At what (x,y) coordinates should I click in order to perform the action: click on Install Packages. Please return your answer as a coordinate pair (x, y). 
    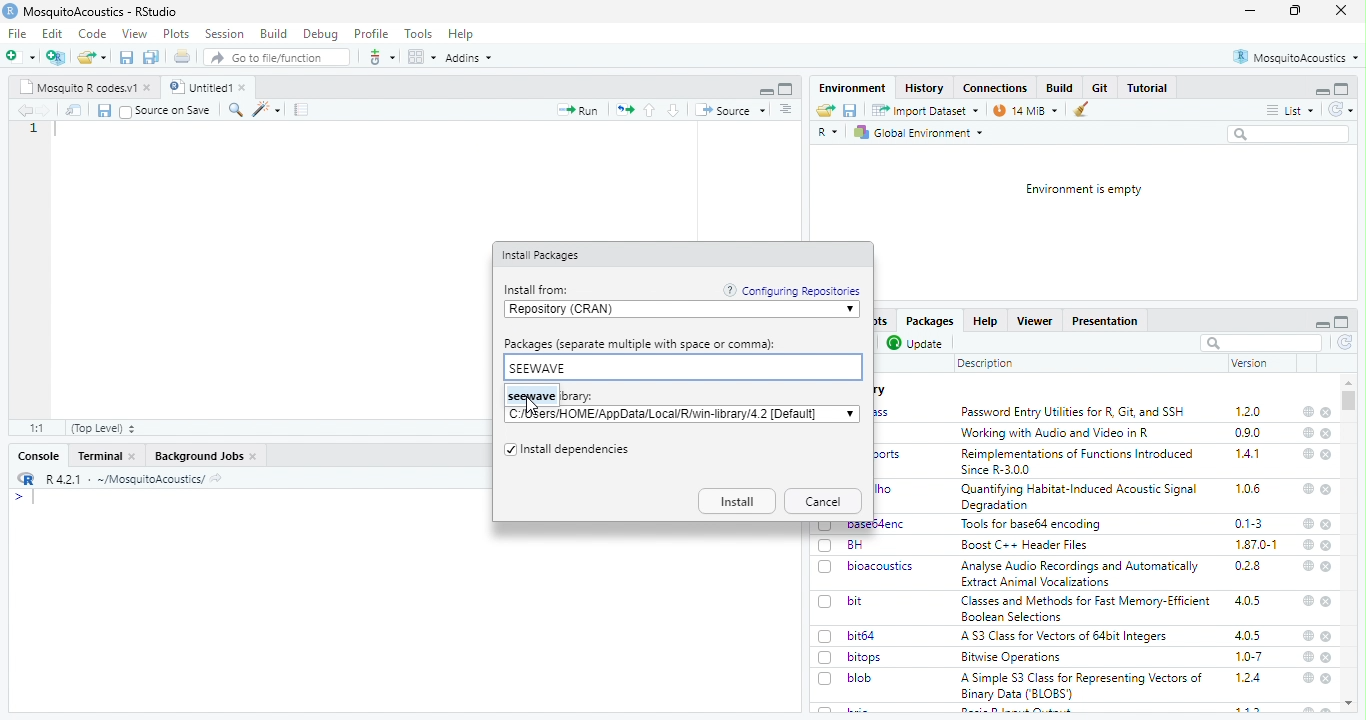
    Looking at the image, I should click on (543, 256).